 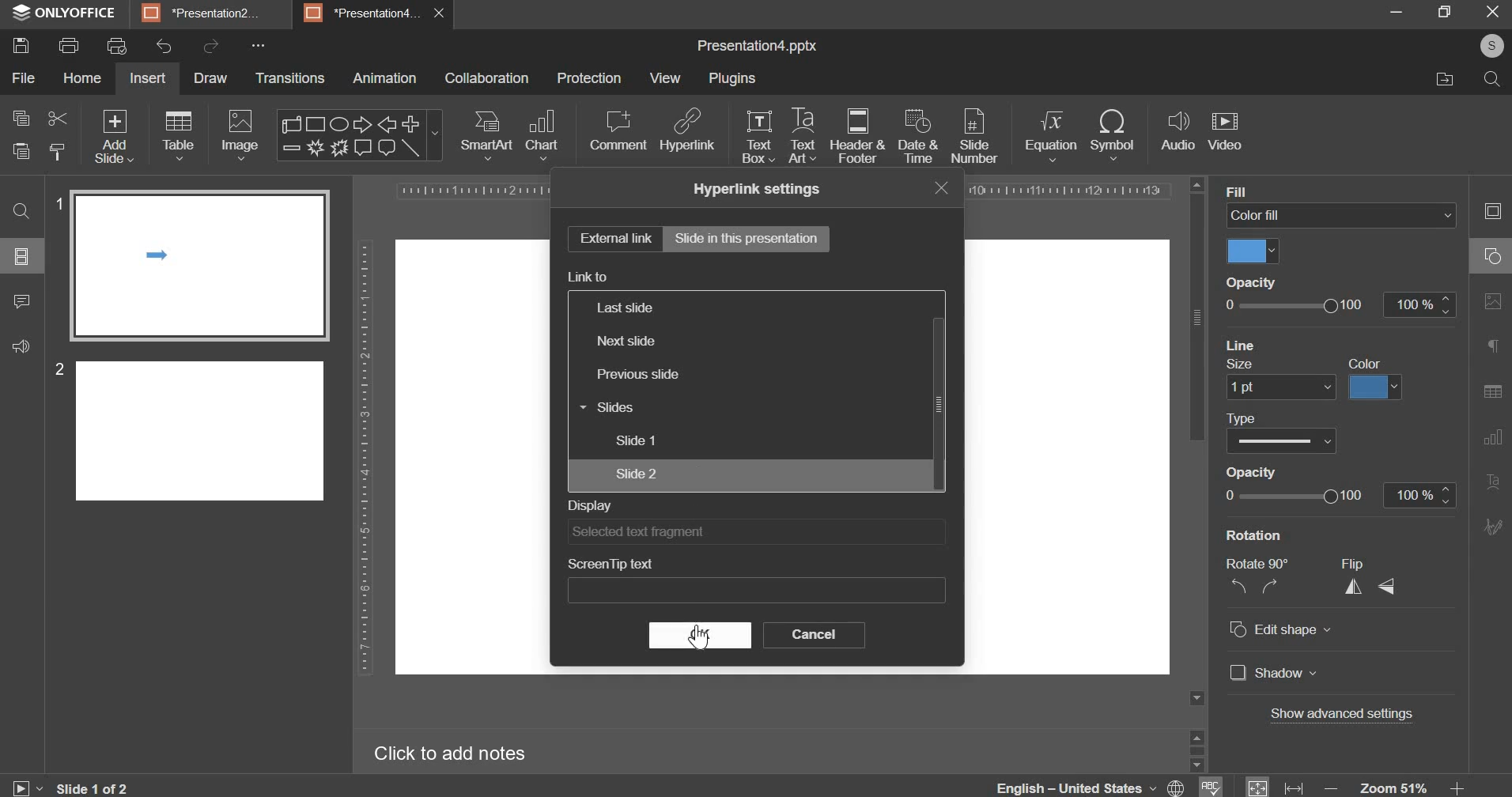 What do you see at coordinates (663, 78) in the screenshot?
I see `view` at bounding box center [663, 78].